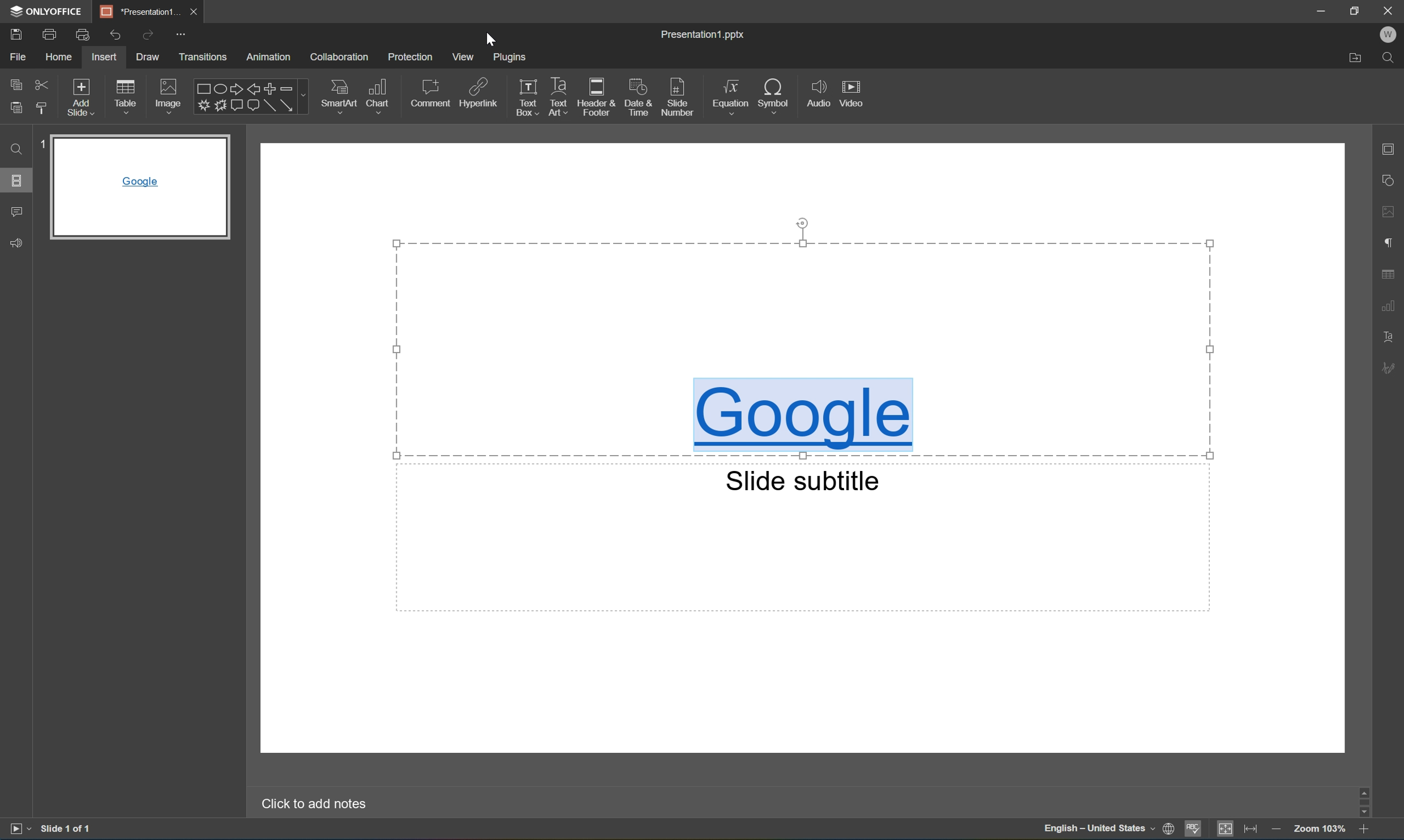 This screenshot has width=1404, height=840. What do you see at coordinates (181, 35) in the screenshot?
I see `Customize Quick Access Toolbar` at bounding box center [181, 35].